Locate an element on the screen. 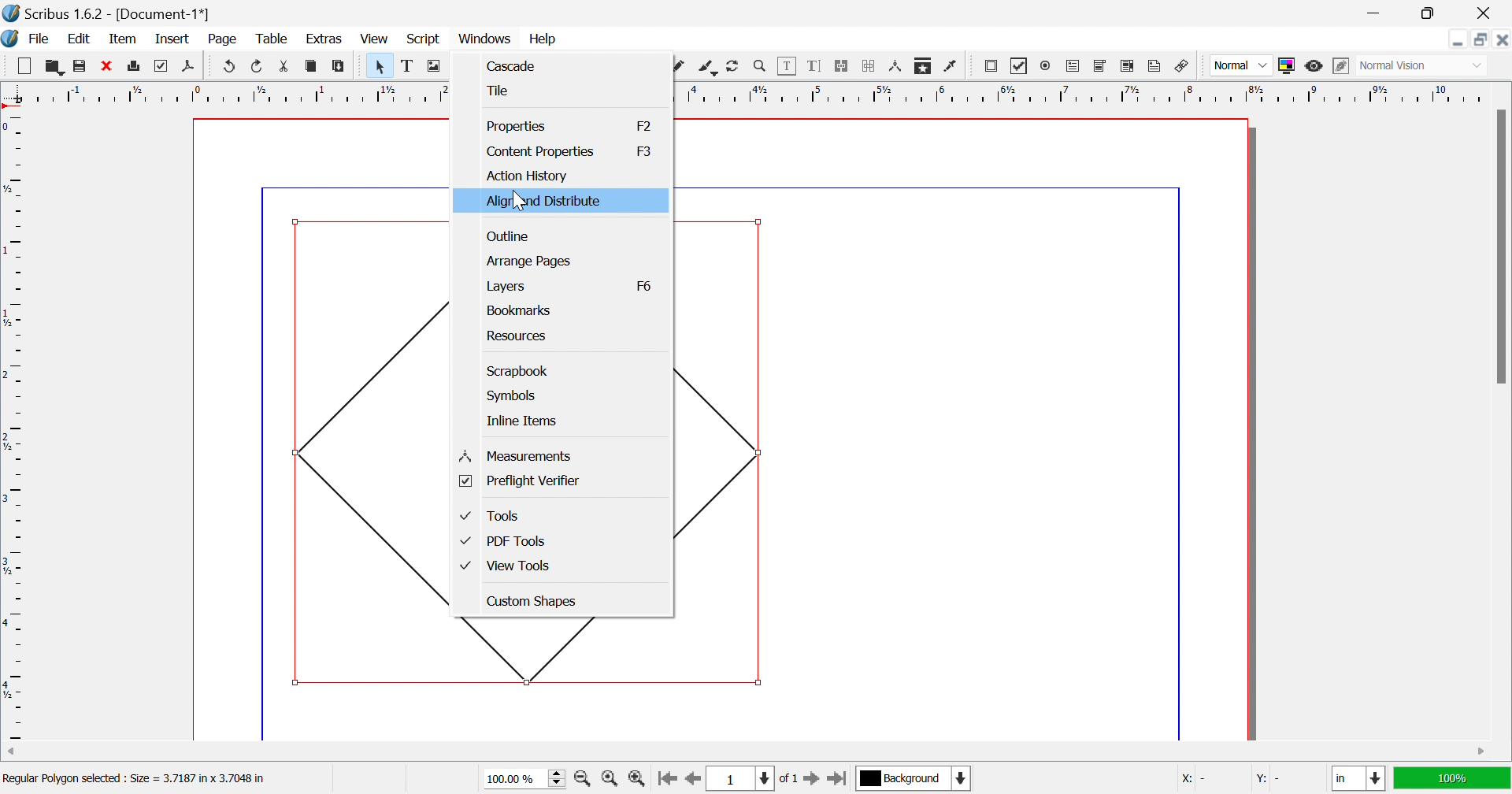 This screenshot has height=794, width=1512. Properties is located at coordinates (518, 125).